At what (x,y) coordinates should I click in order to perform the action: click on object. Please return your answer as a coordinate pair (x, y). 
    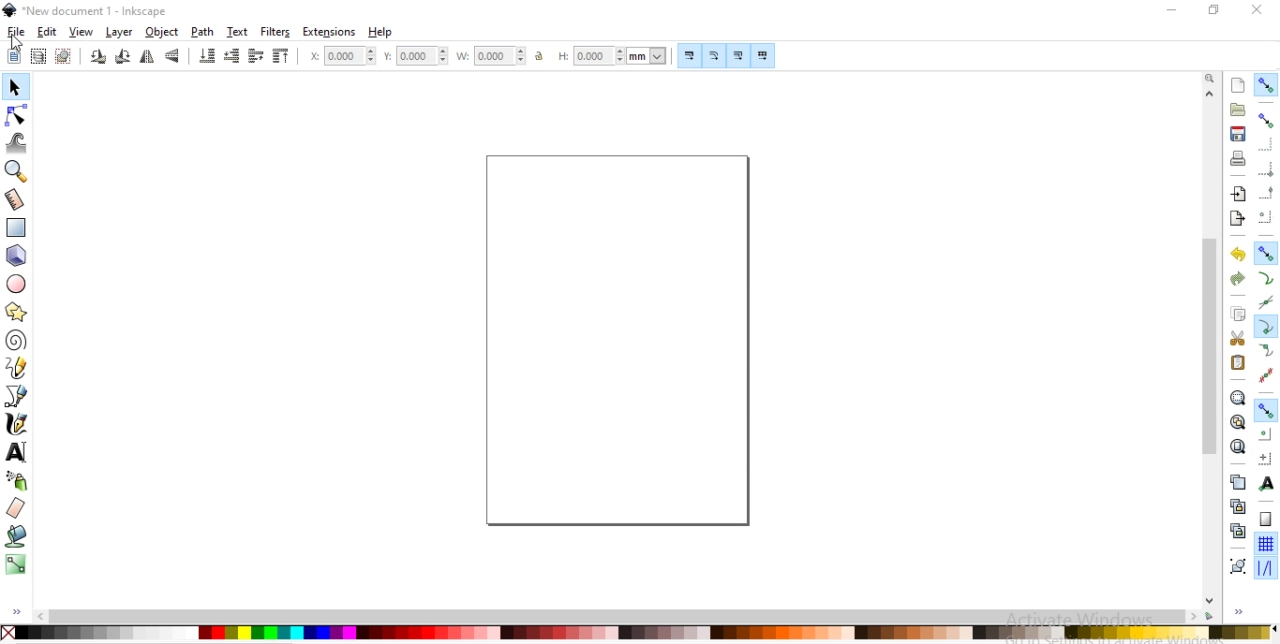
    Looking at the image, I should click on (162, 32).